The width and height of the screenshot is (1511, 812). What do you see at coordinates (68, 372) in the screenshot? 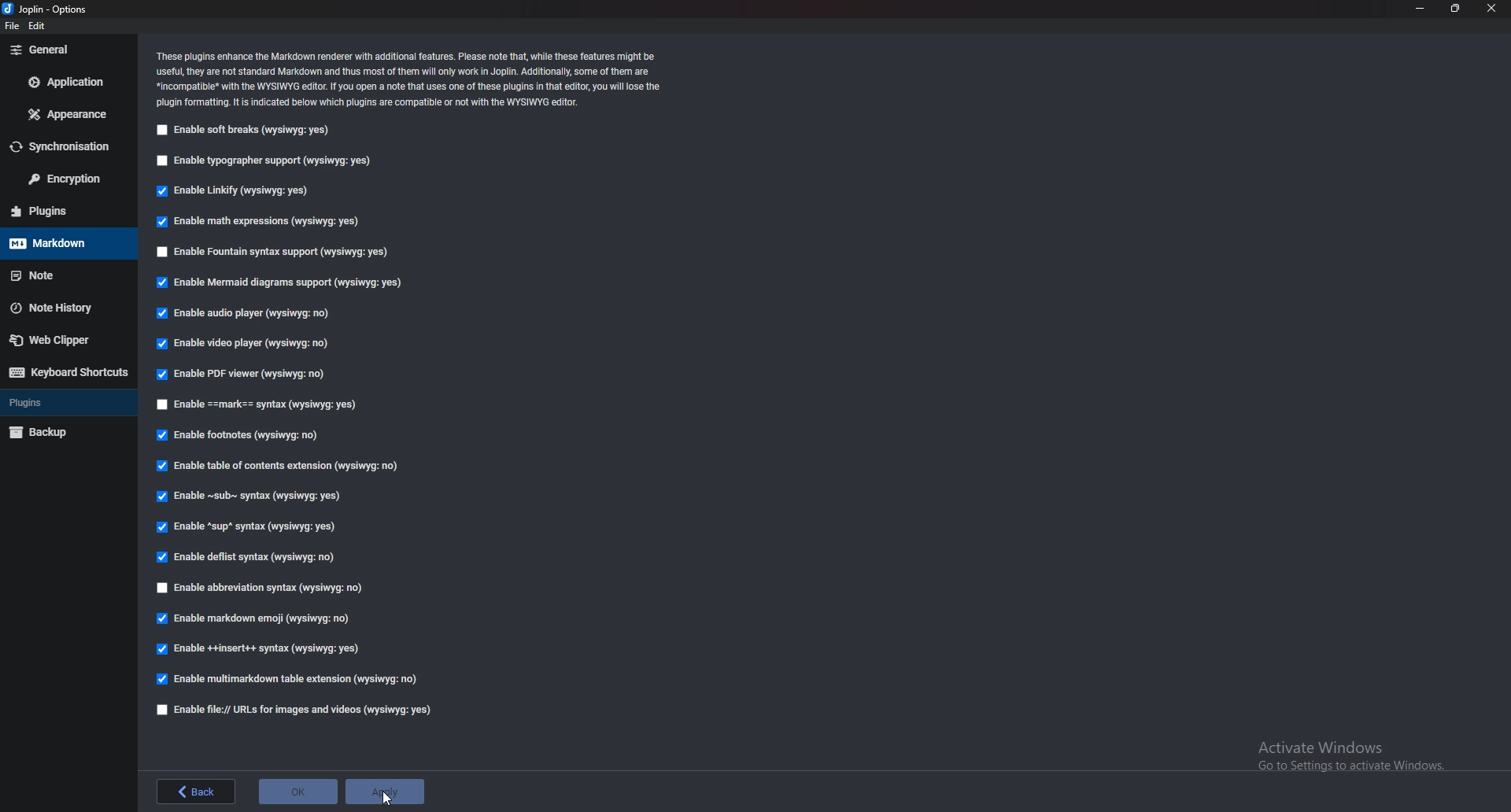
I see `Keyboard shortcuts` at bounding box center [68, 372].